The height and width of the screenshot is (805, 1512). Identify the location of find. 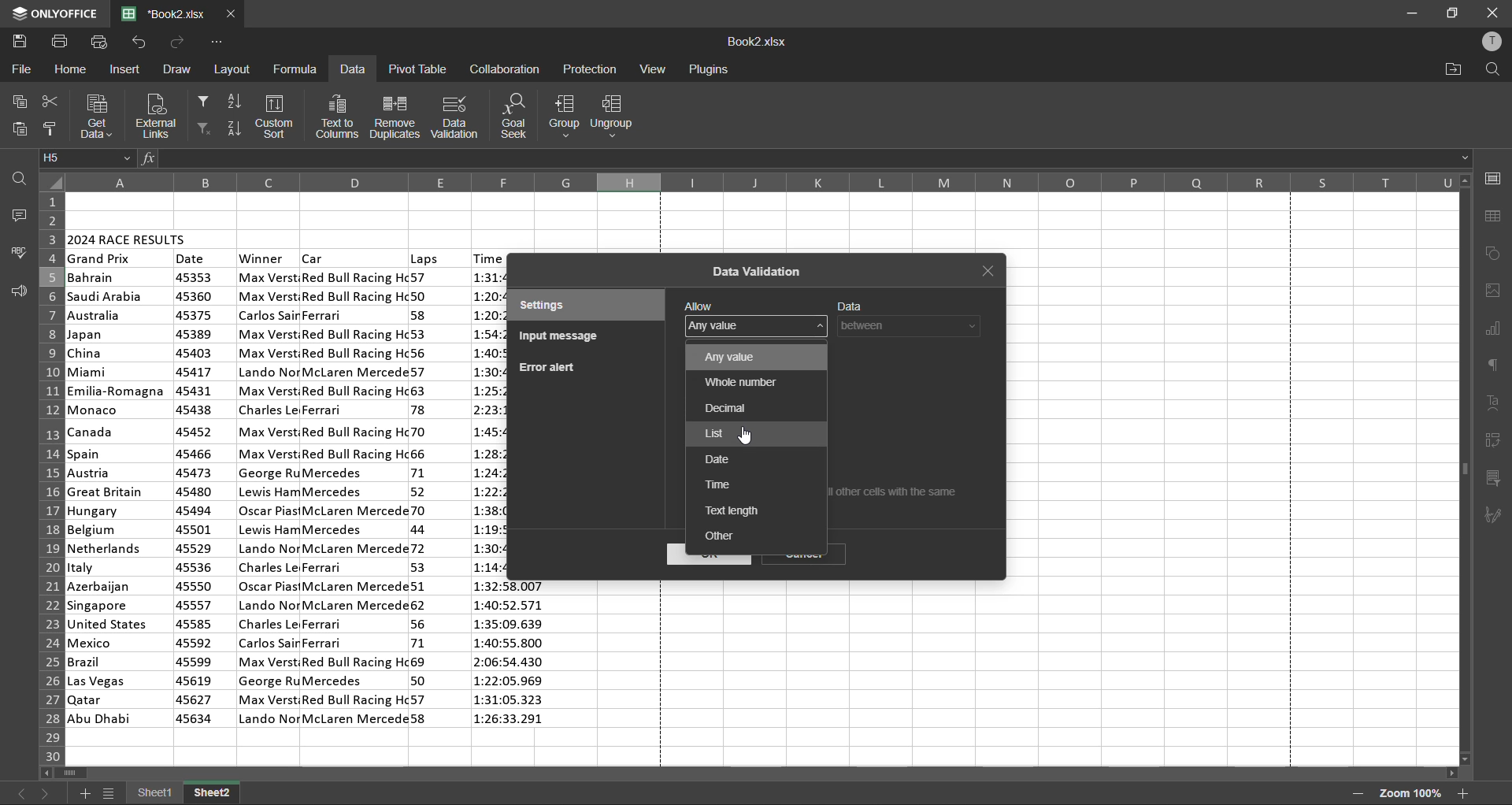
(1488, 69).